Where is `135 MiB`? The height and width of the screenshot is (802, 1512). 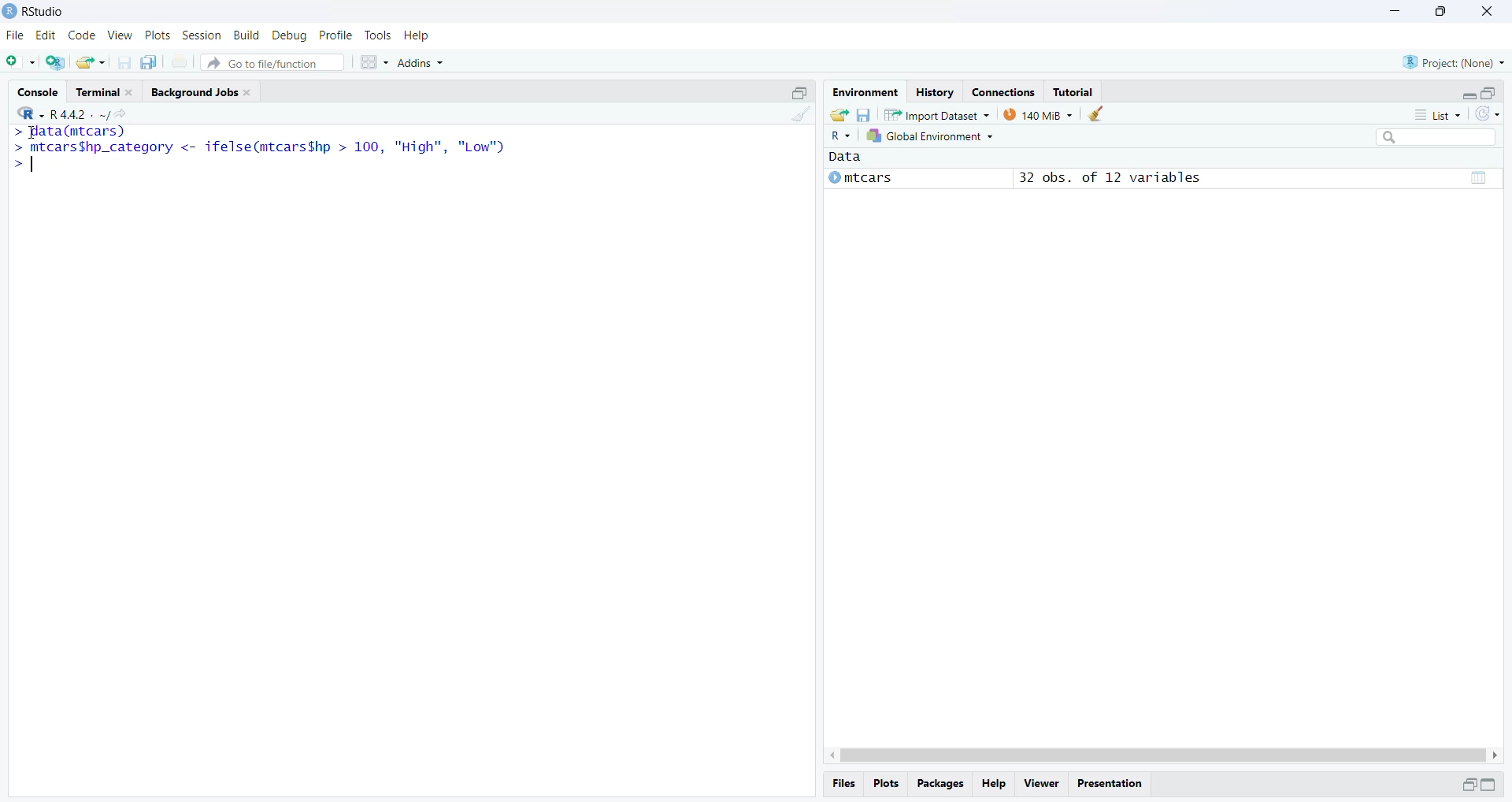 135 MiB is located at coordinates (1038, 114).